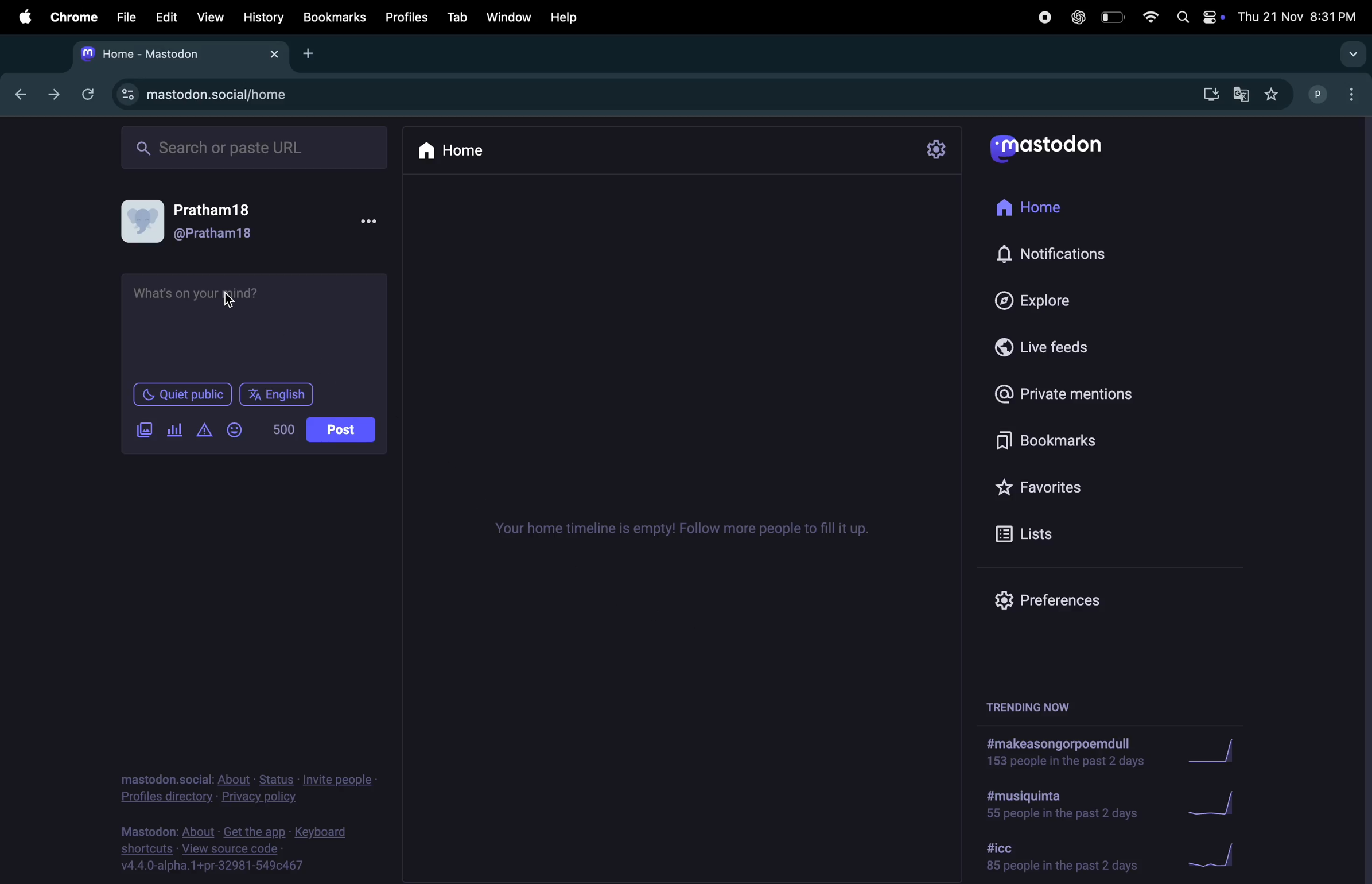  Describe the element at coordinates (252, 324) in the screenshot. I see `textbox` at that location.